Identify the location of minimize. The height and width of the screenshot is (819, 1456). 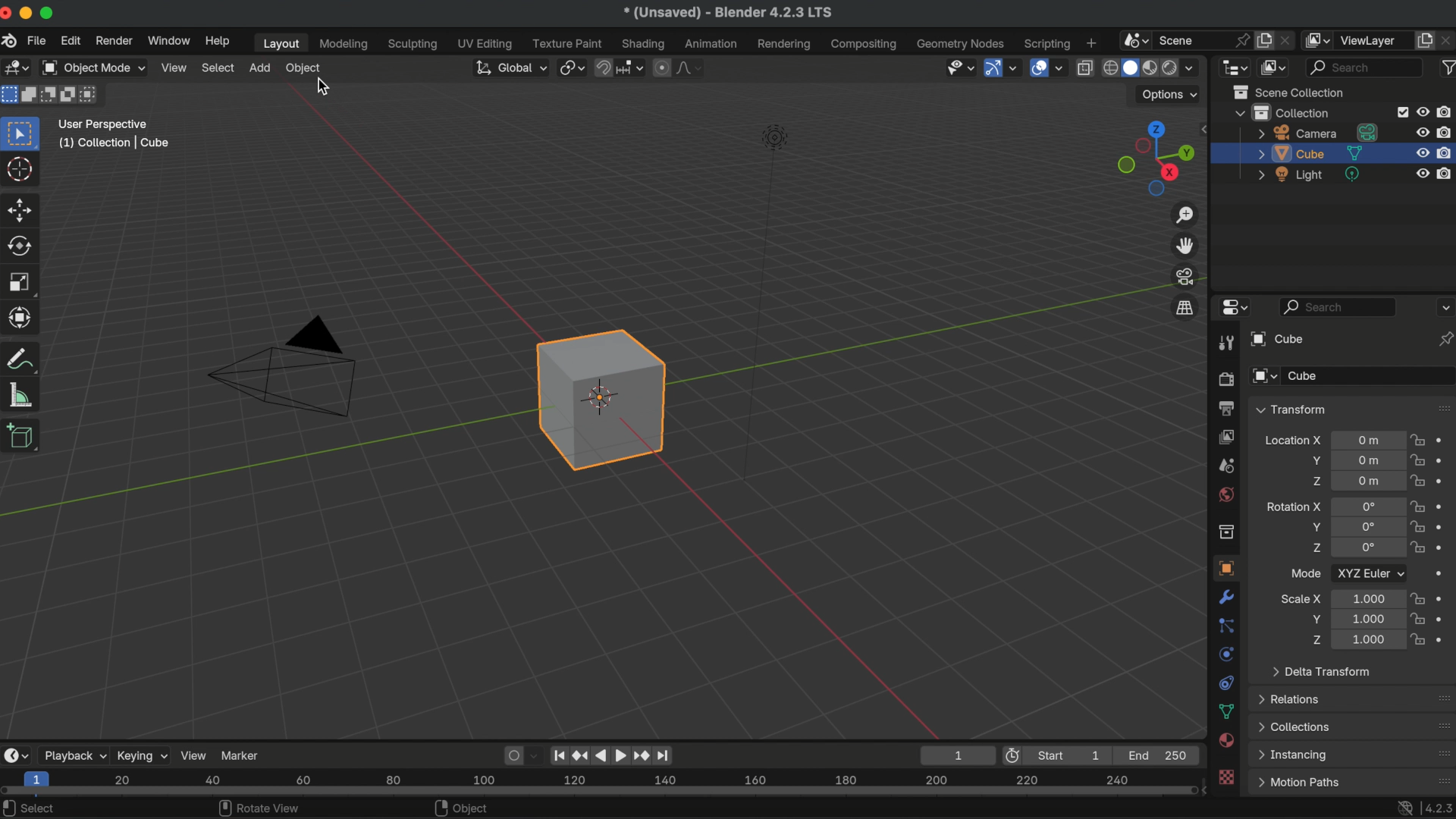
(29, 13).